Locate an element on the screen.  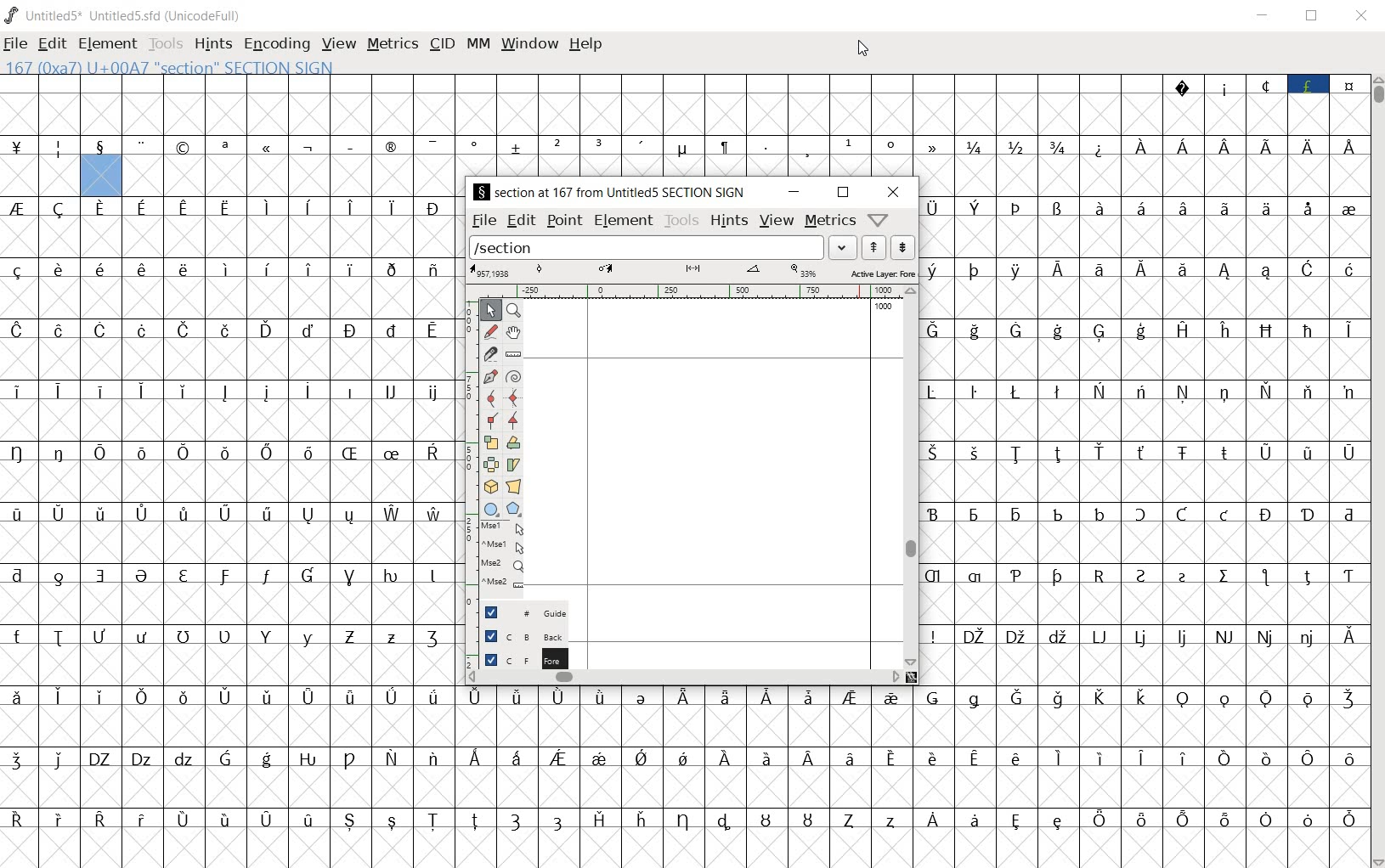
empty cells is located at coordinates (233, 359).